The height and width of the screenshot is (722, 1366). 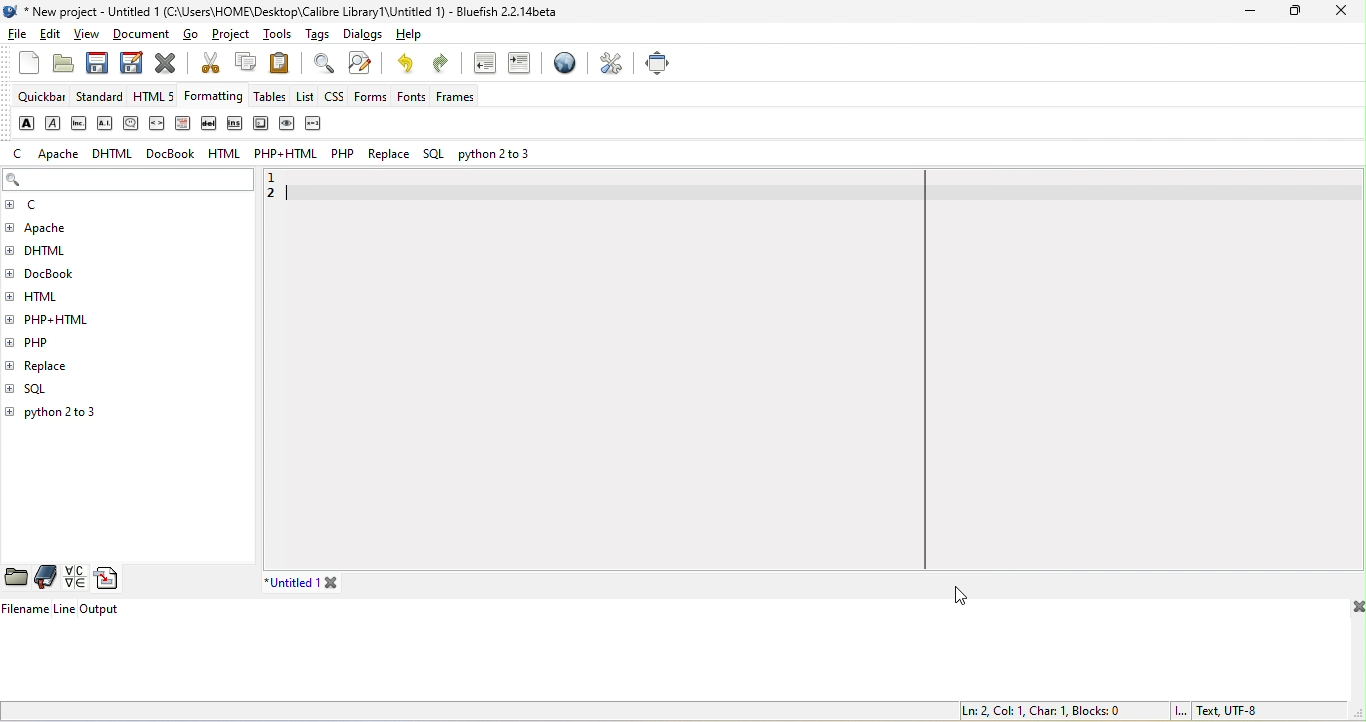 I want to click on c, so click(x=38, y=206).